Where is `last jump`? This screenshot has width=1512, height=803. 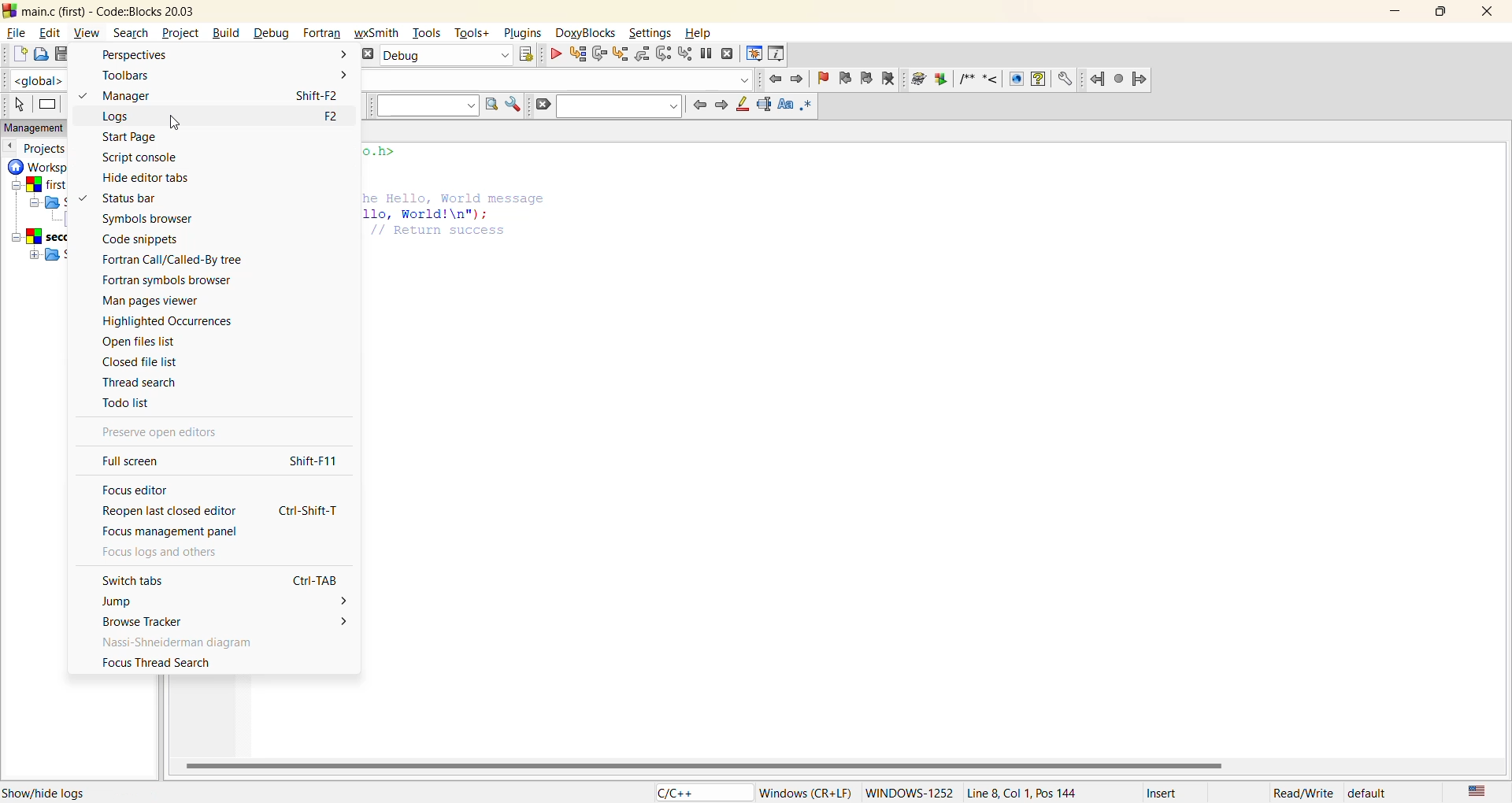
last jump is located at coordinates (1118, 78).